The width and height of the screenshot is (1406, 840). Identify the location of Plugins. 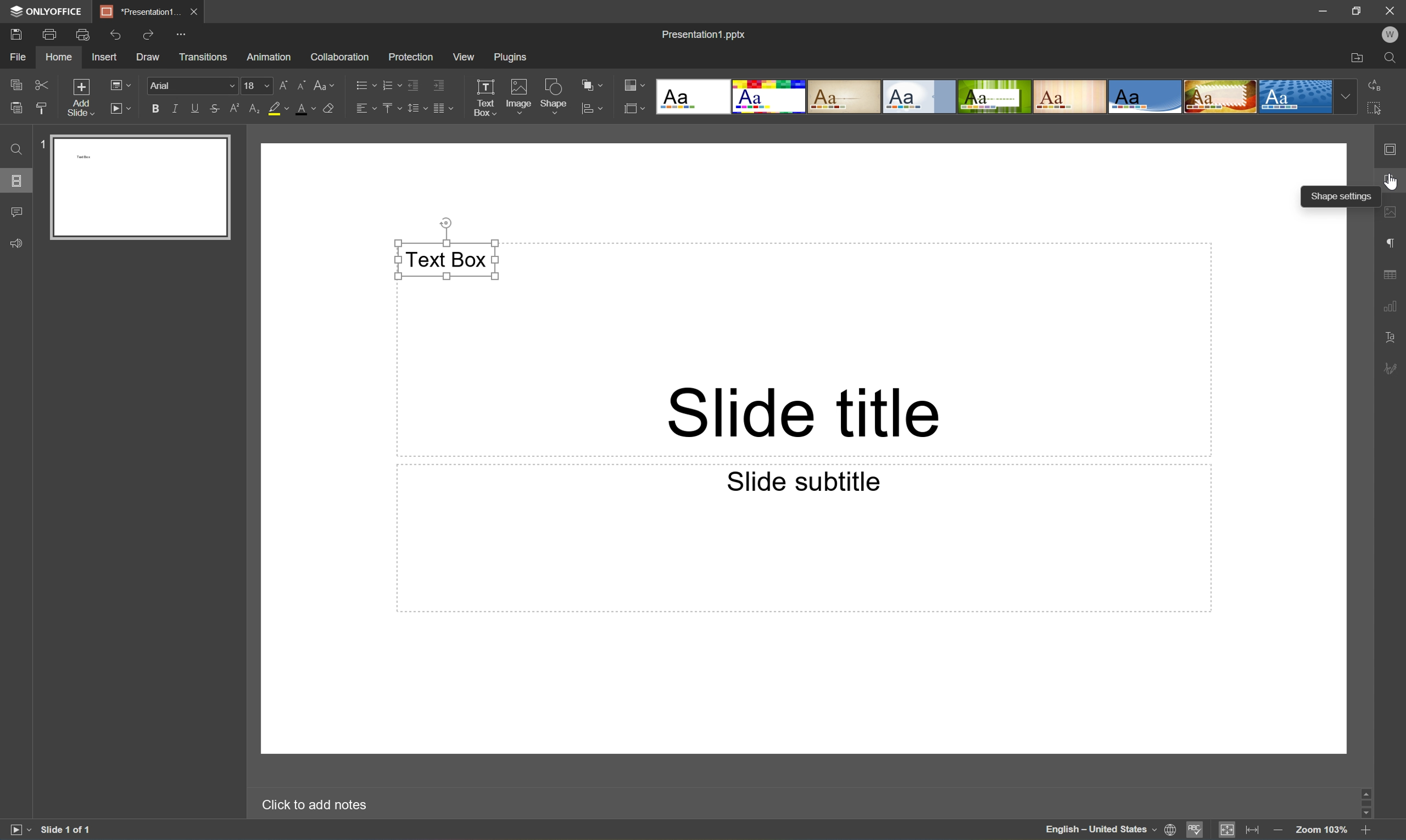
(511, 57).